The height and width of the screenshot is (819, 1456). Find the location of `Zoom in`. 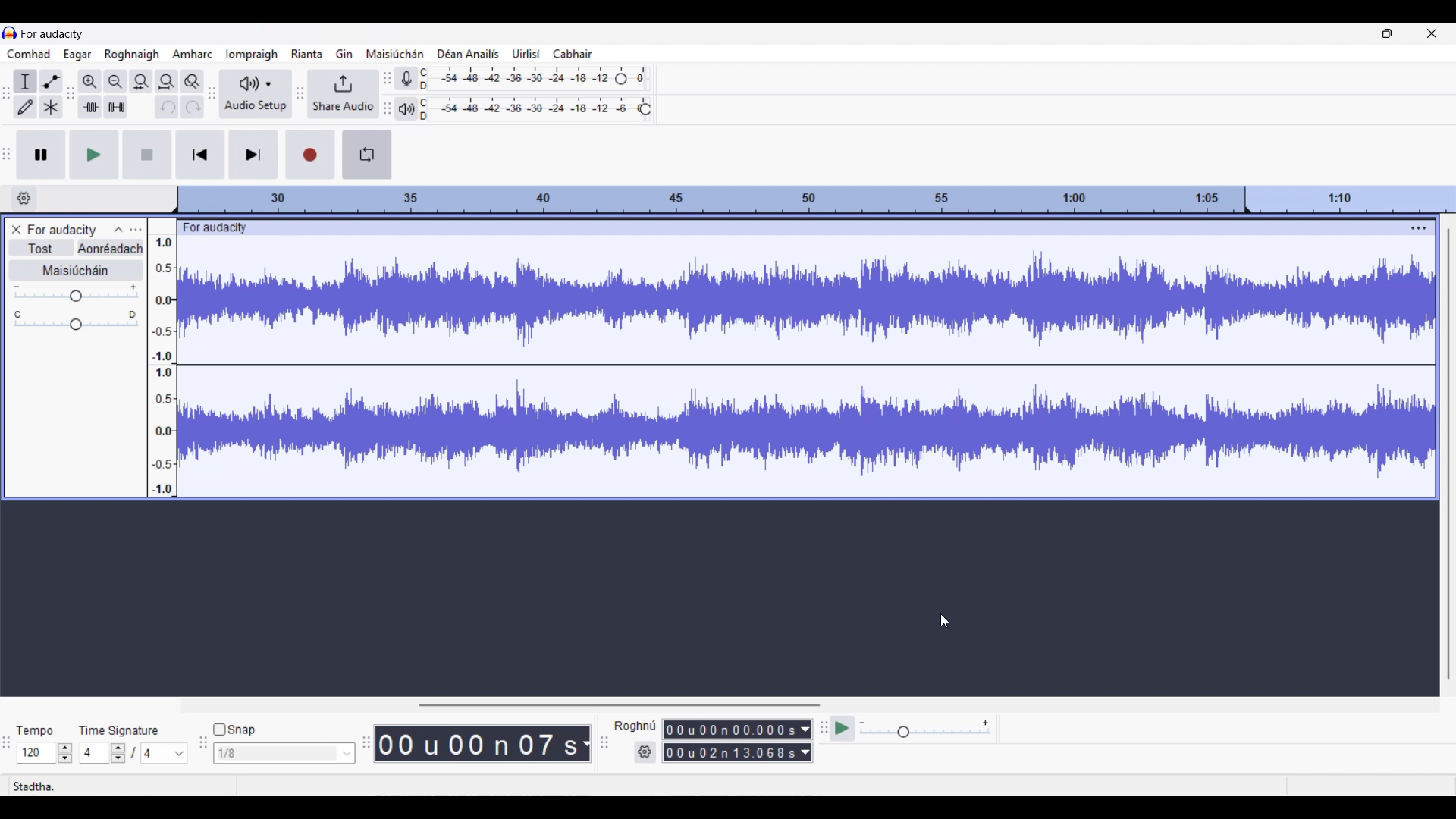

Zoom in is located at coordinates (90, 82).